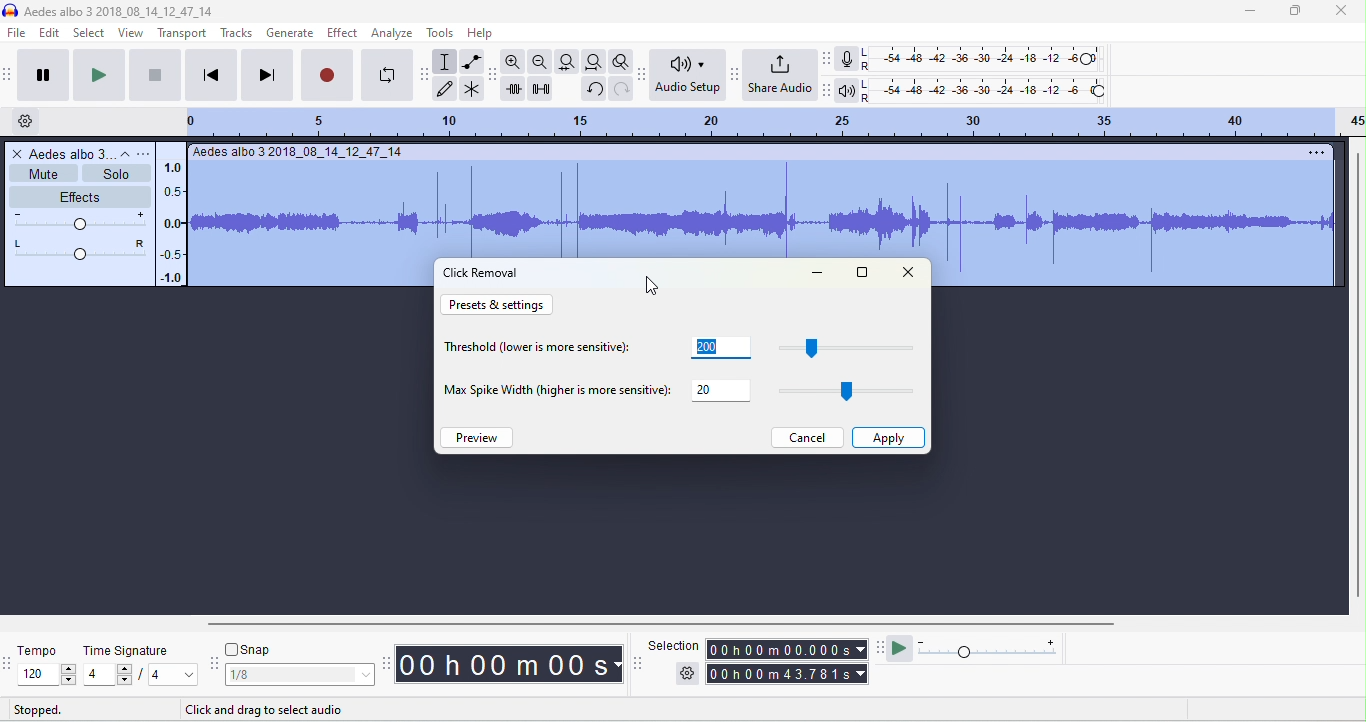  Describe the element at coordinates (447, 62) in the screenshot. I see `selection tool` at that location.